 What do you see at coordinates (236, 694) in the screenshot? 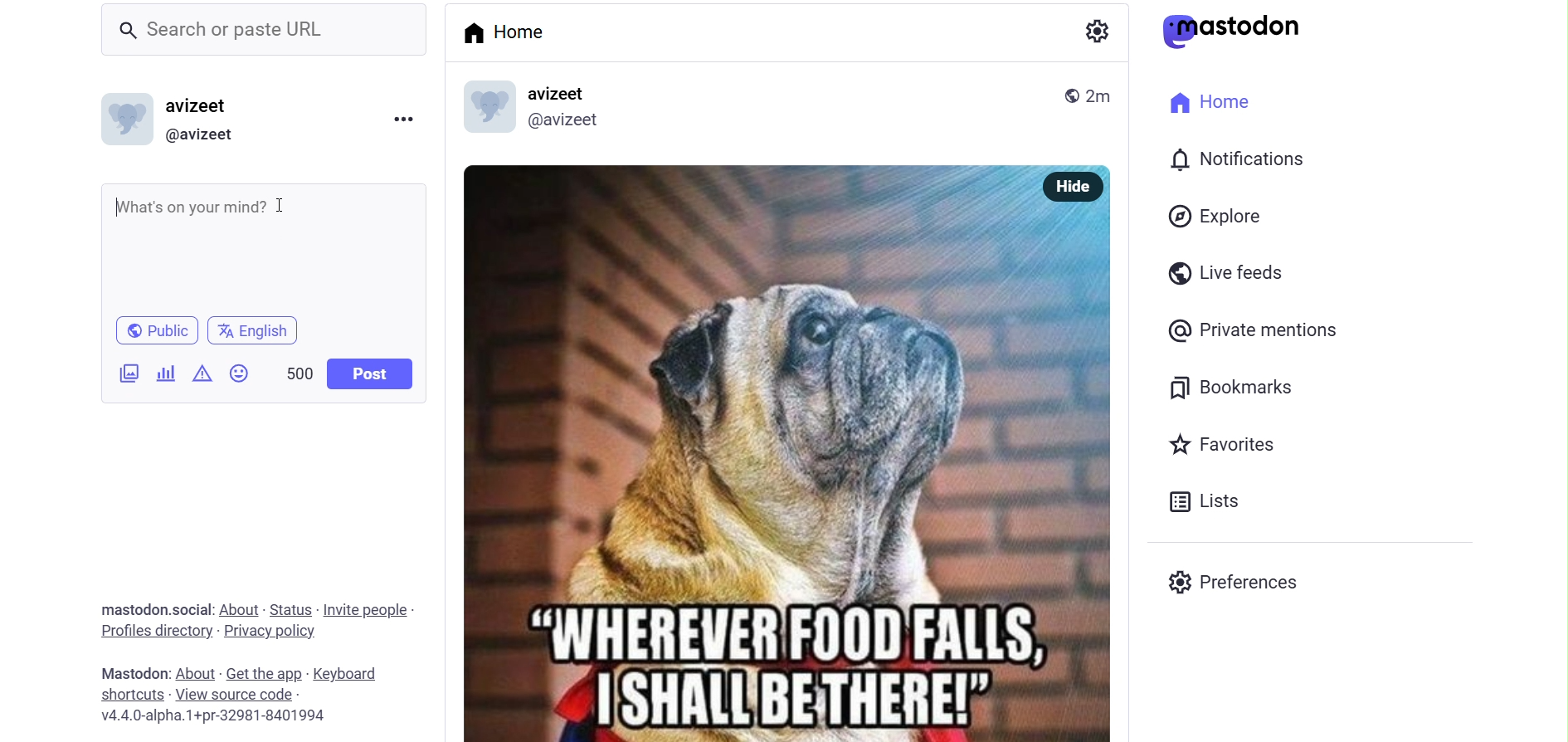
I see `View Source Code` at bounding box center [236, 694].